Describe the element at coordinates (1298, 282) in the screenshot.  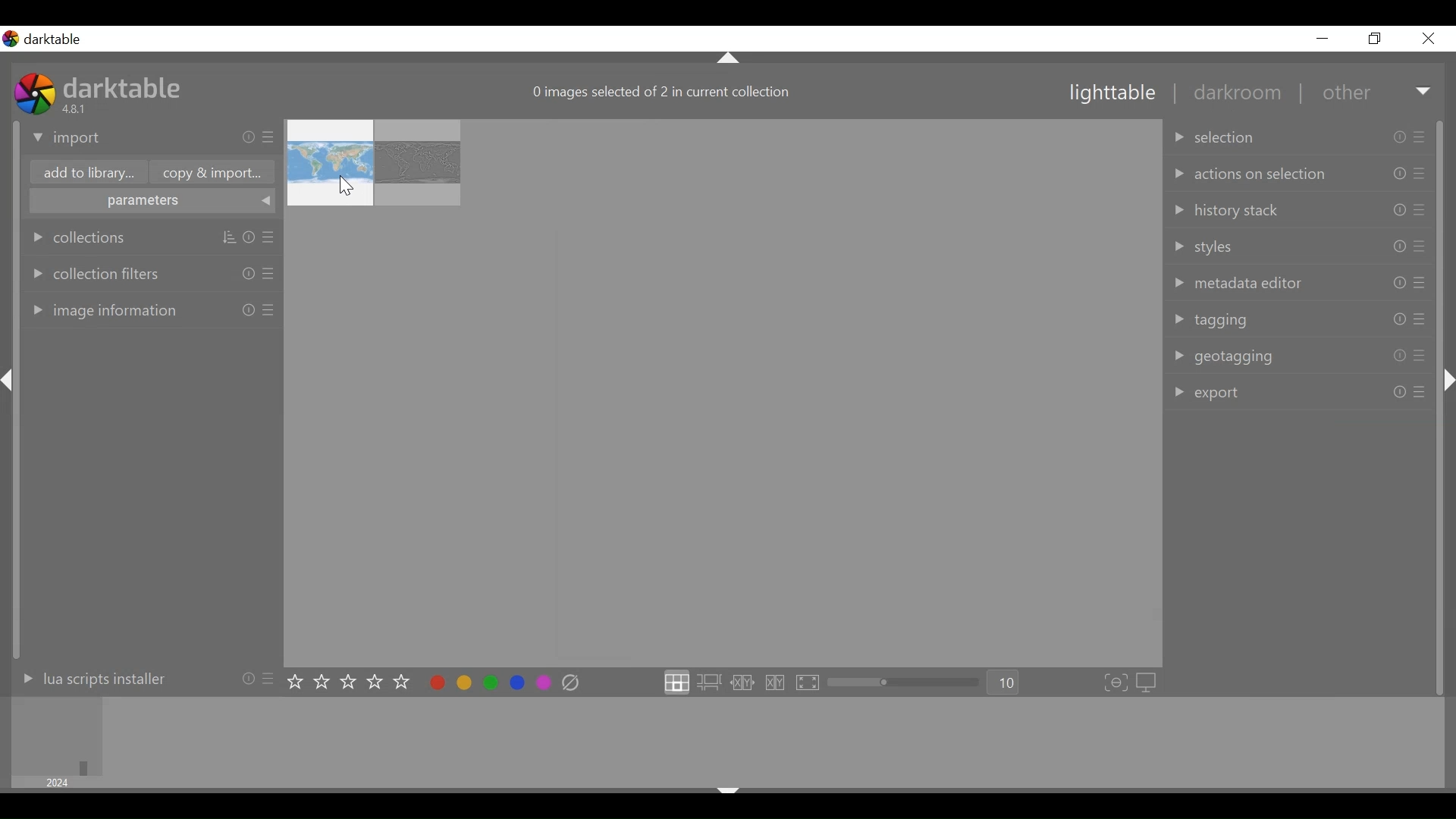
I see `metadata editor` at that location.